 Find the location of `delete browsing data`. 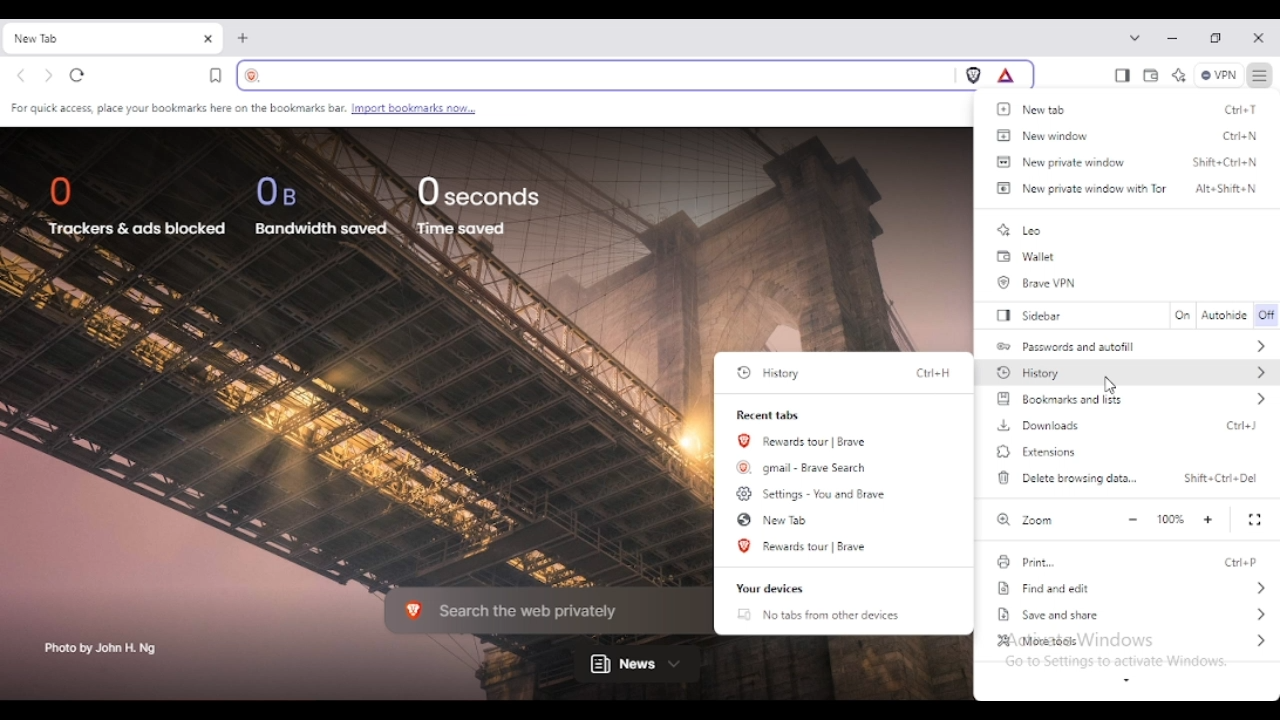

delete browsing data is located at coordinates (1066, 477).